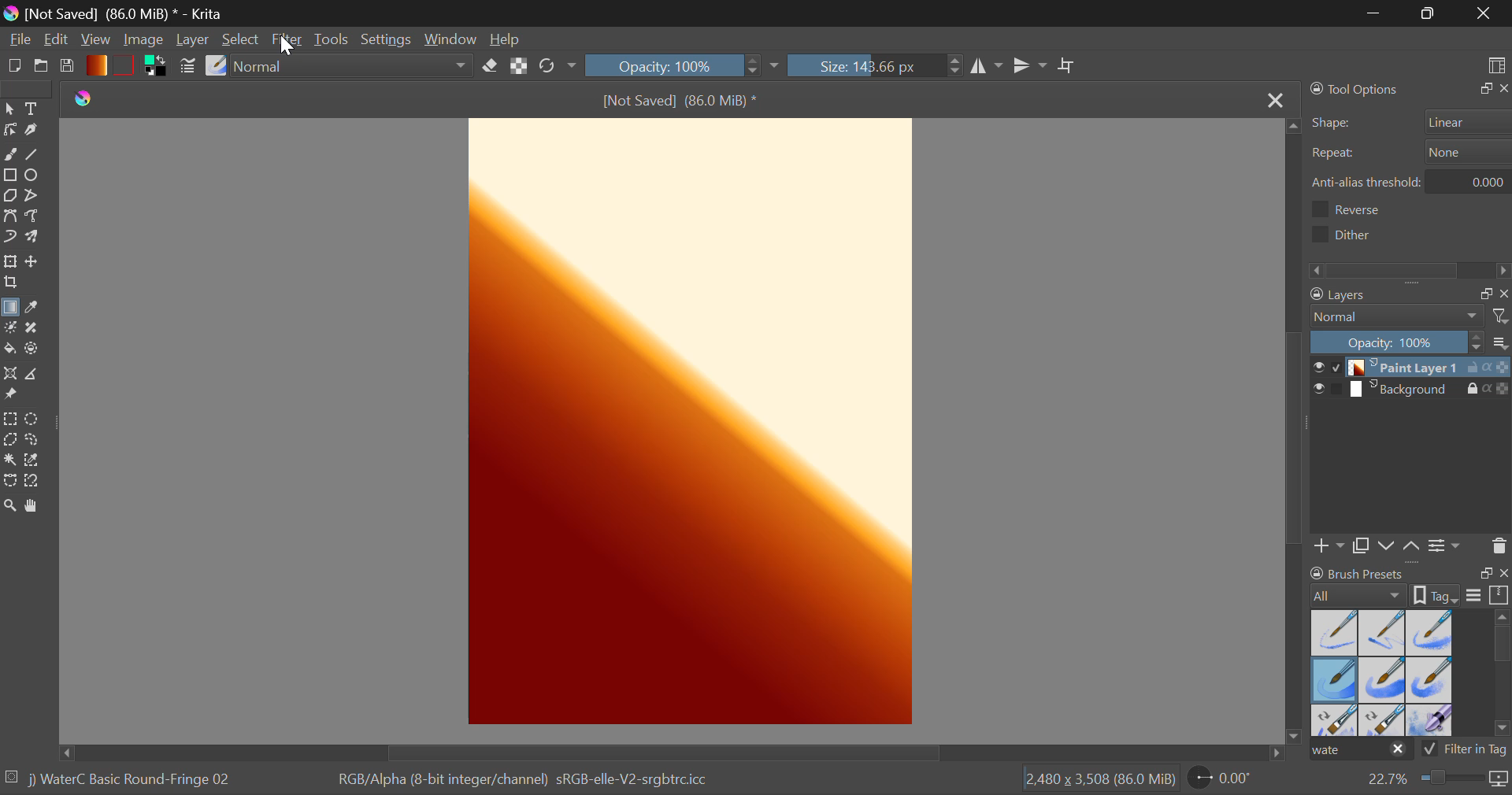 This screenshot has height=795, width=1512. I want to click on Same Color Selection, so click(36, 462).